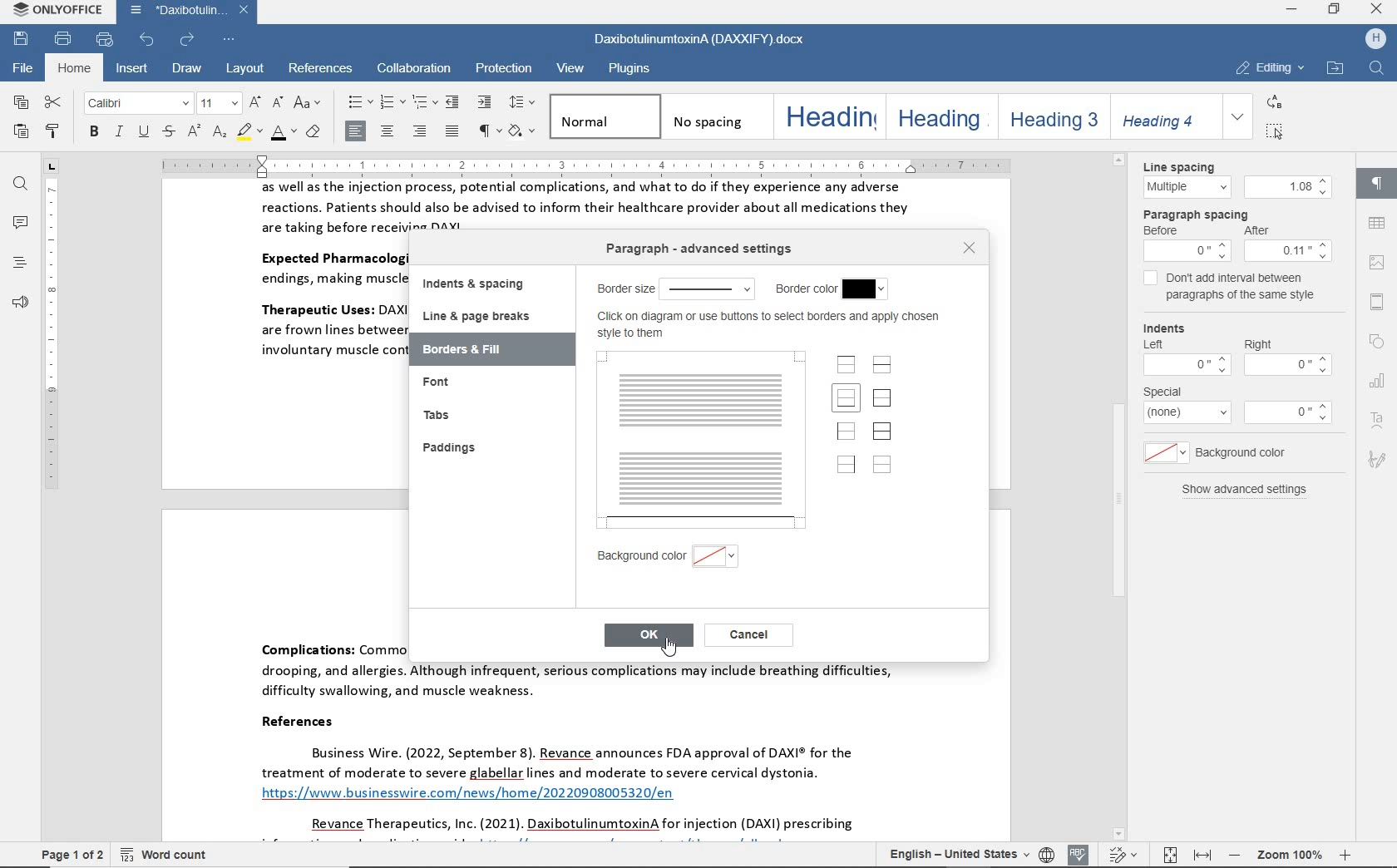 The image size is (1397, 868). I want to click on replace, so click(1272, 101).